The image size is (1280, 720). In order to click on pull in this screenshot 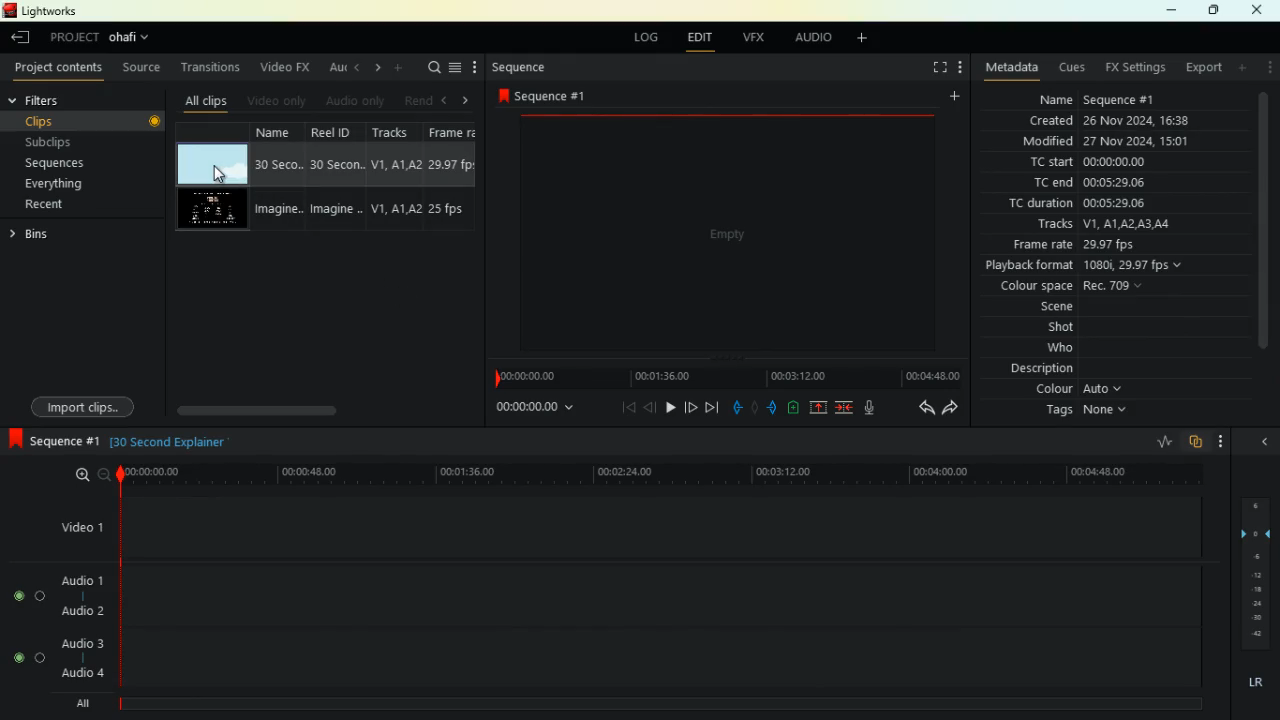, I will do `click(734, 405)`.